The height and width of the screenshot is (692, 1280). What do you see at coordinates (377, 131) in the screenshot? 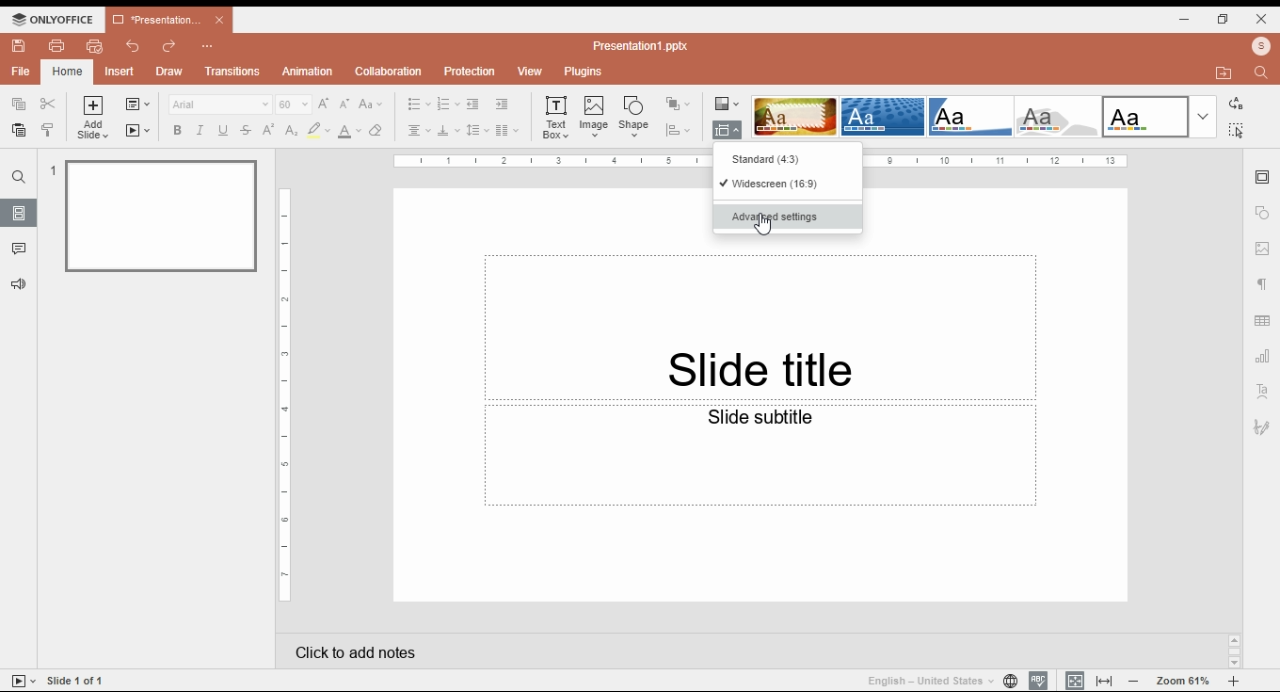
I see `erase` at bounding box center [377, 131].